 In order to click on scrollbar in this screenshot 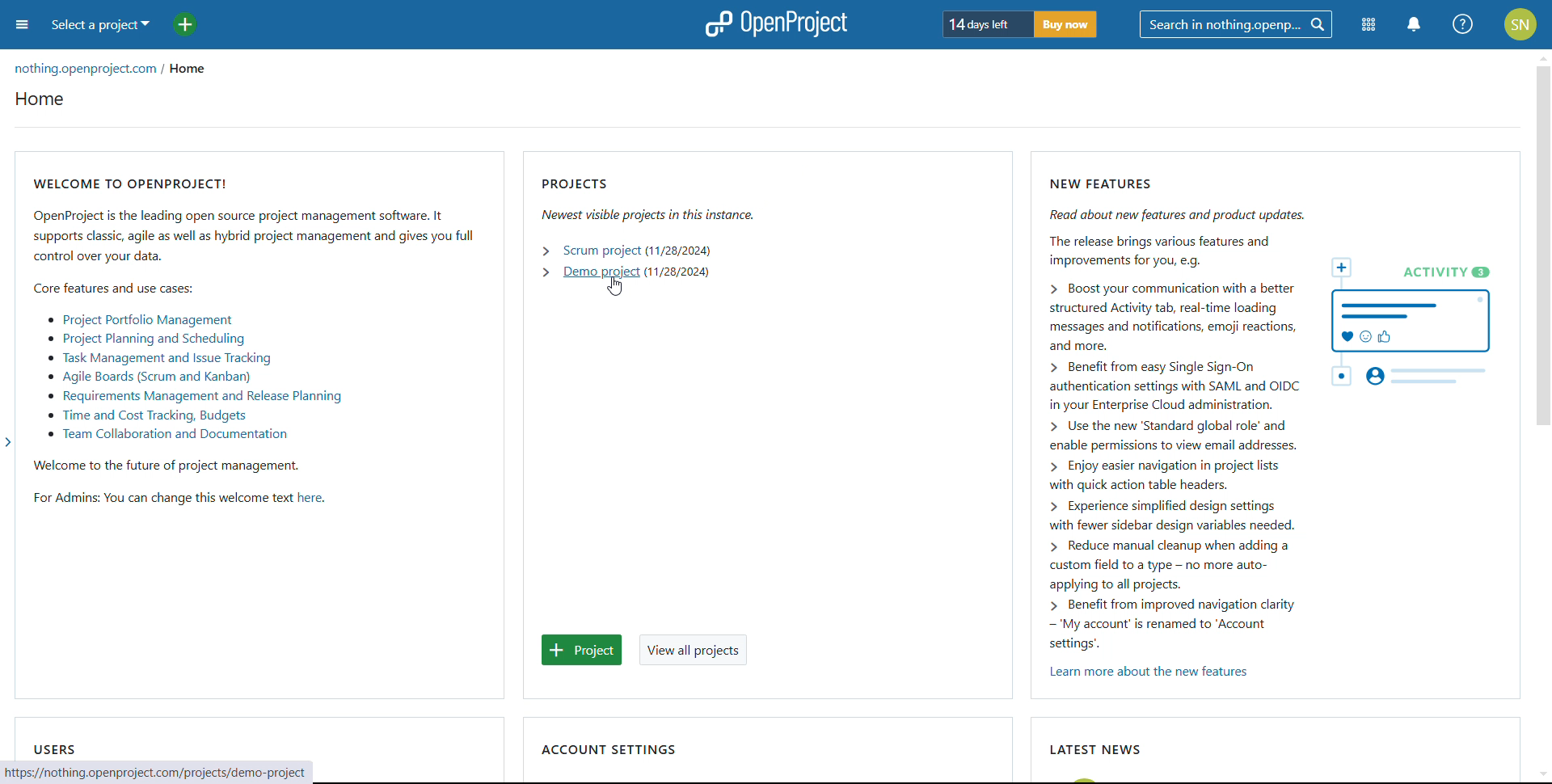, I will do `click(1542, 246)`.